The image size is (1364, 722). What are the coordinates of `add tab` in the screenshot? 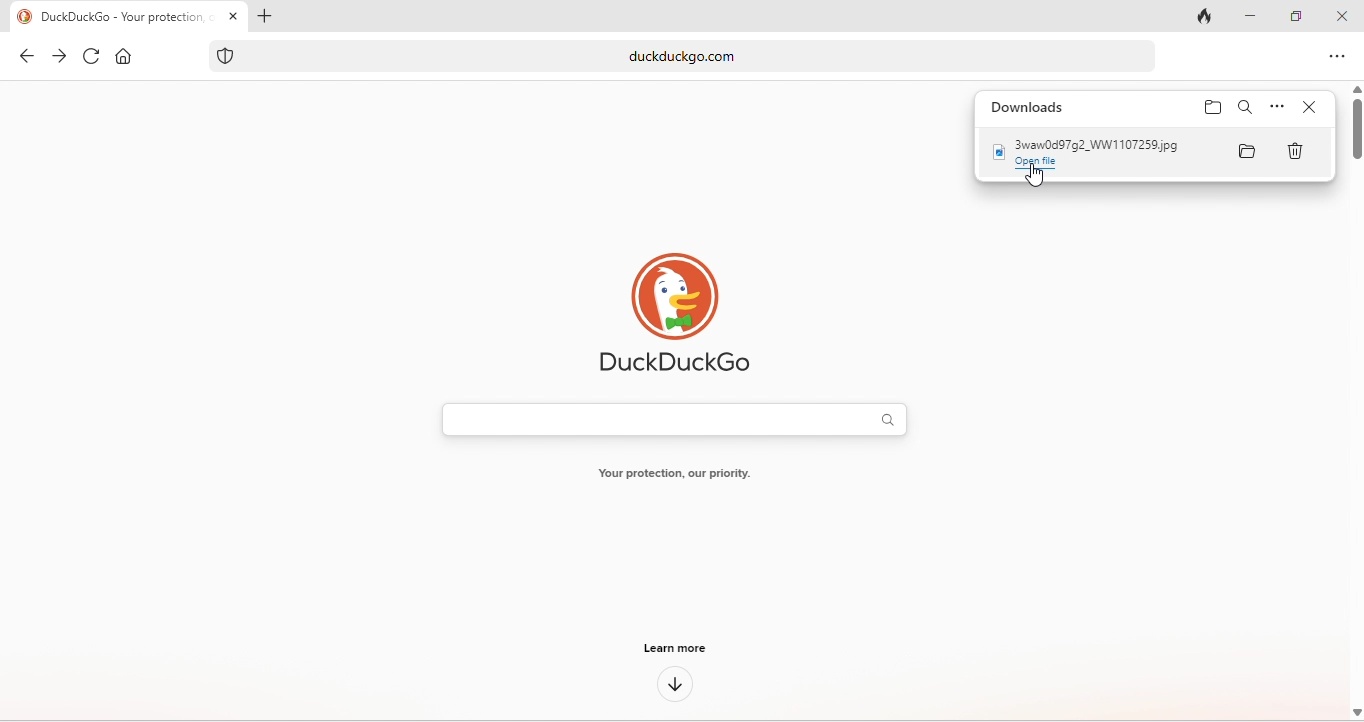 It's located at (272, 18).